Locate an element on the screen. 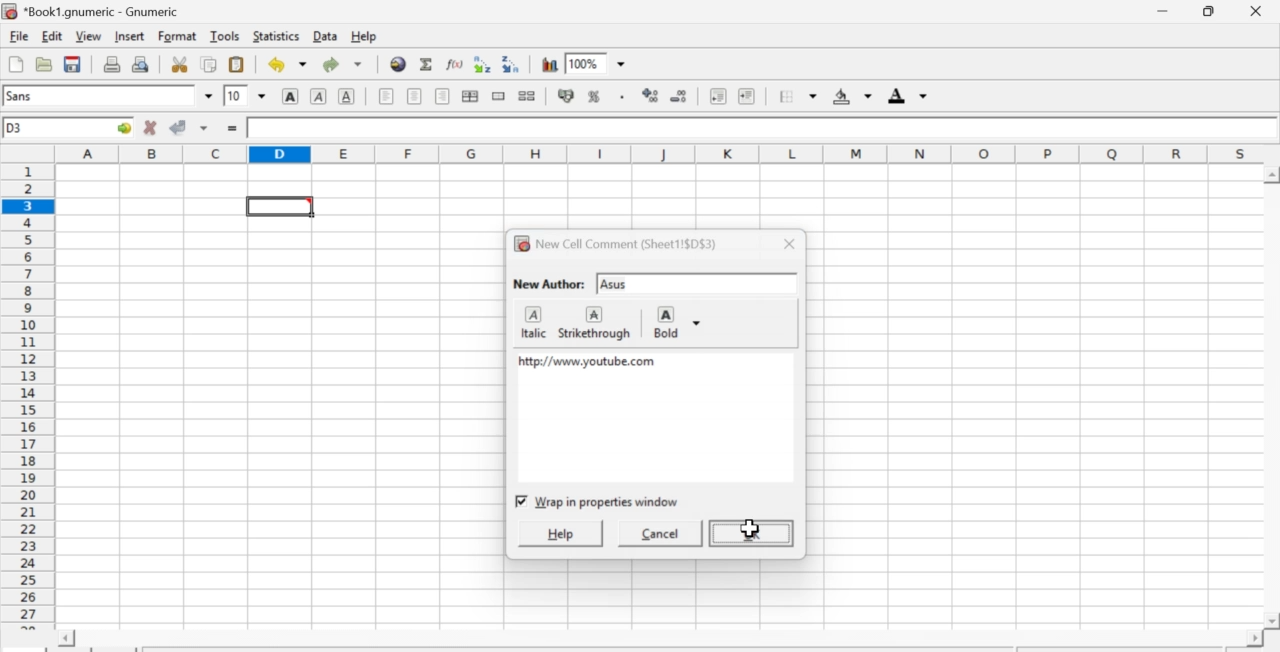 Image resolution: width=1280 pixels, height=652 pixels. Statistics is located at coordinates (278, 36).